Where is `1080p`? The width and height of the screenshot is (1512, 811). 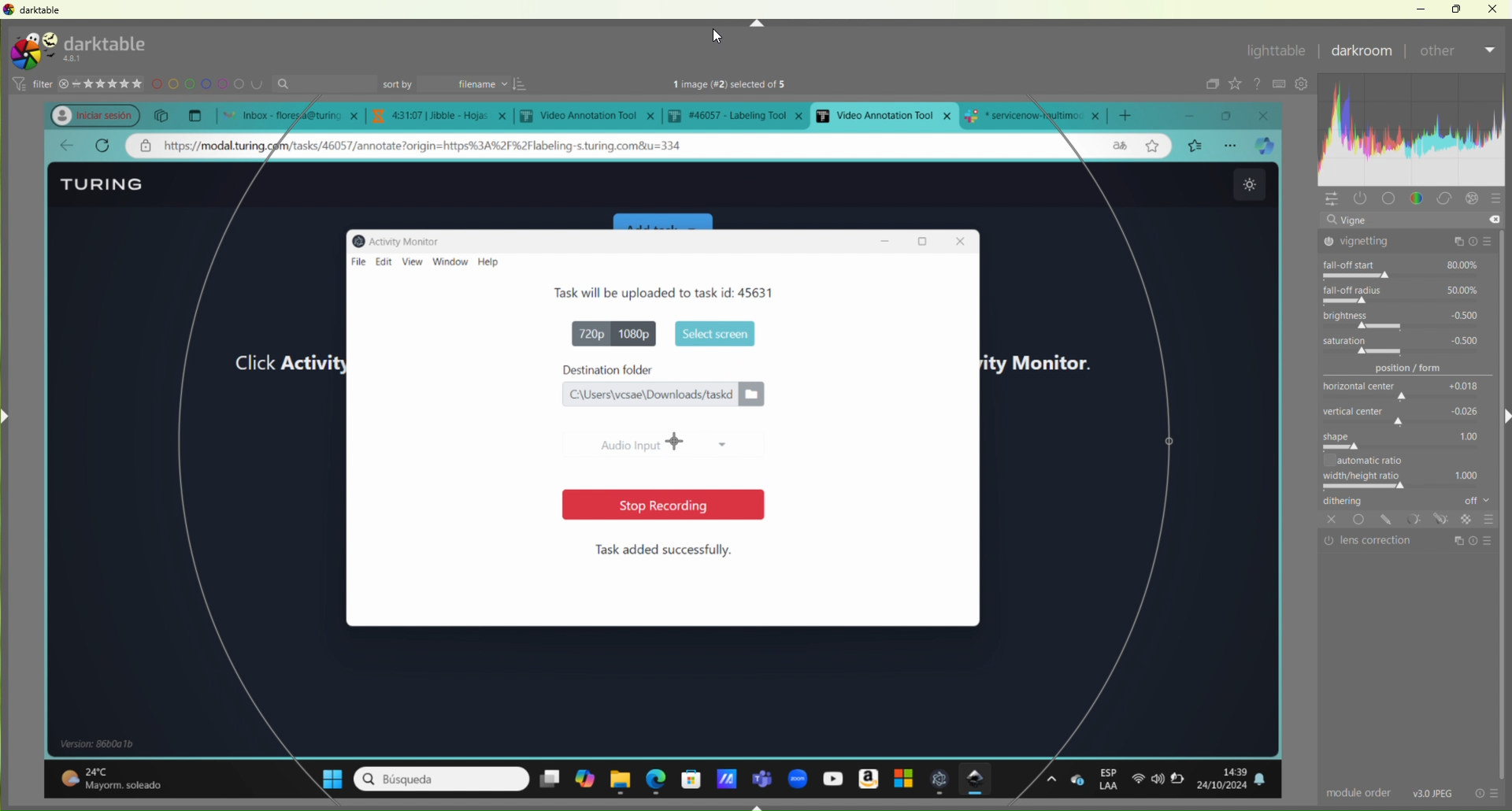
1080p is located at coordinates (638, 333).